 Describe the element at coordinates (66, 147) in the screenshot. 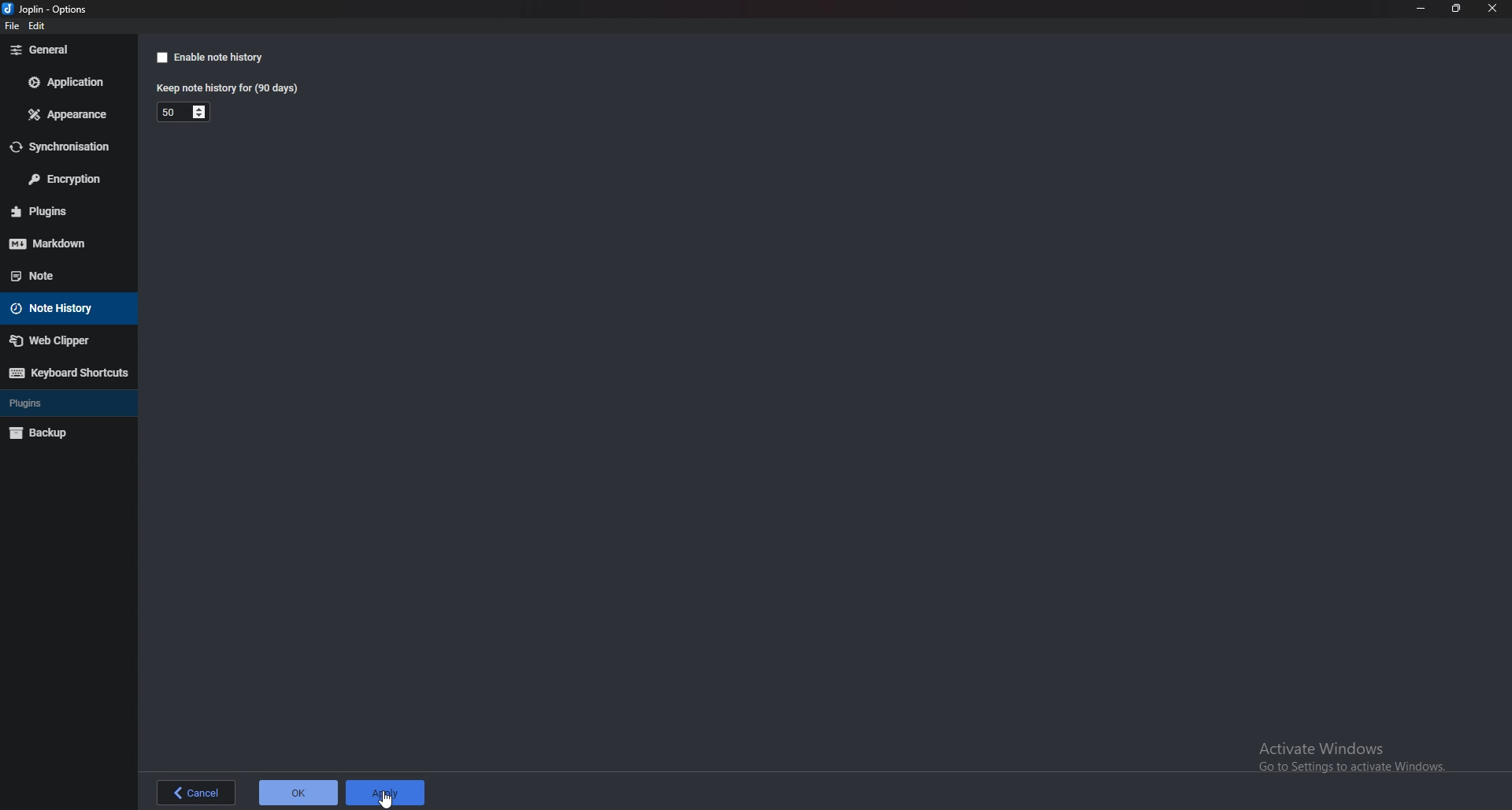

I see `Synchronization` at that location.